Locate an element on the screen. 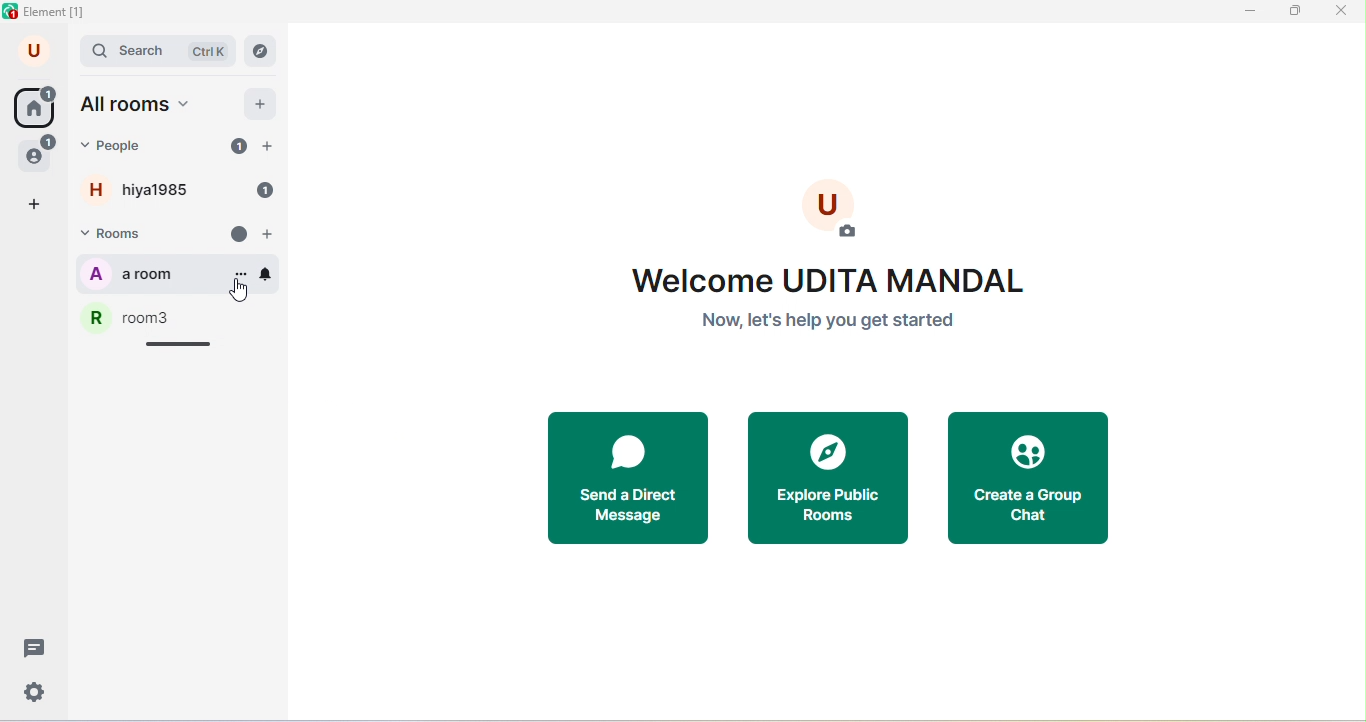  add room is located at coordinates (271, 235).